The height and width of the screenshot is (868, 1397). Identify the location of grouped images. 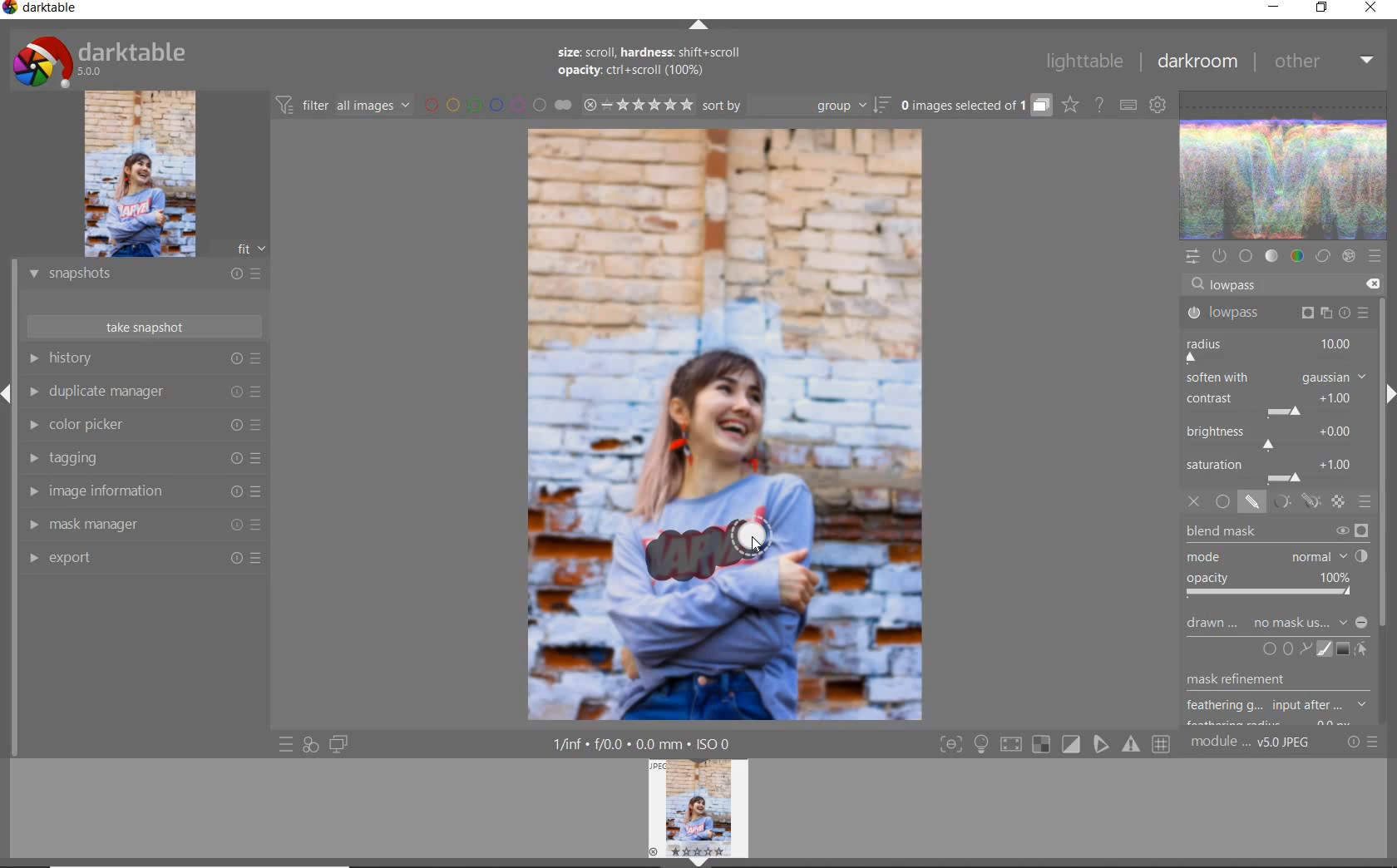
(975, 106).